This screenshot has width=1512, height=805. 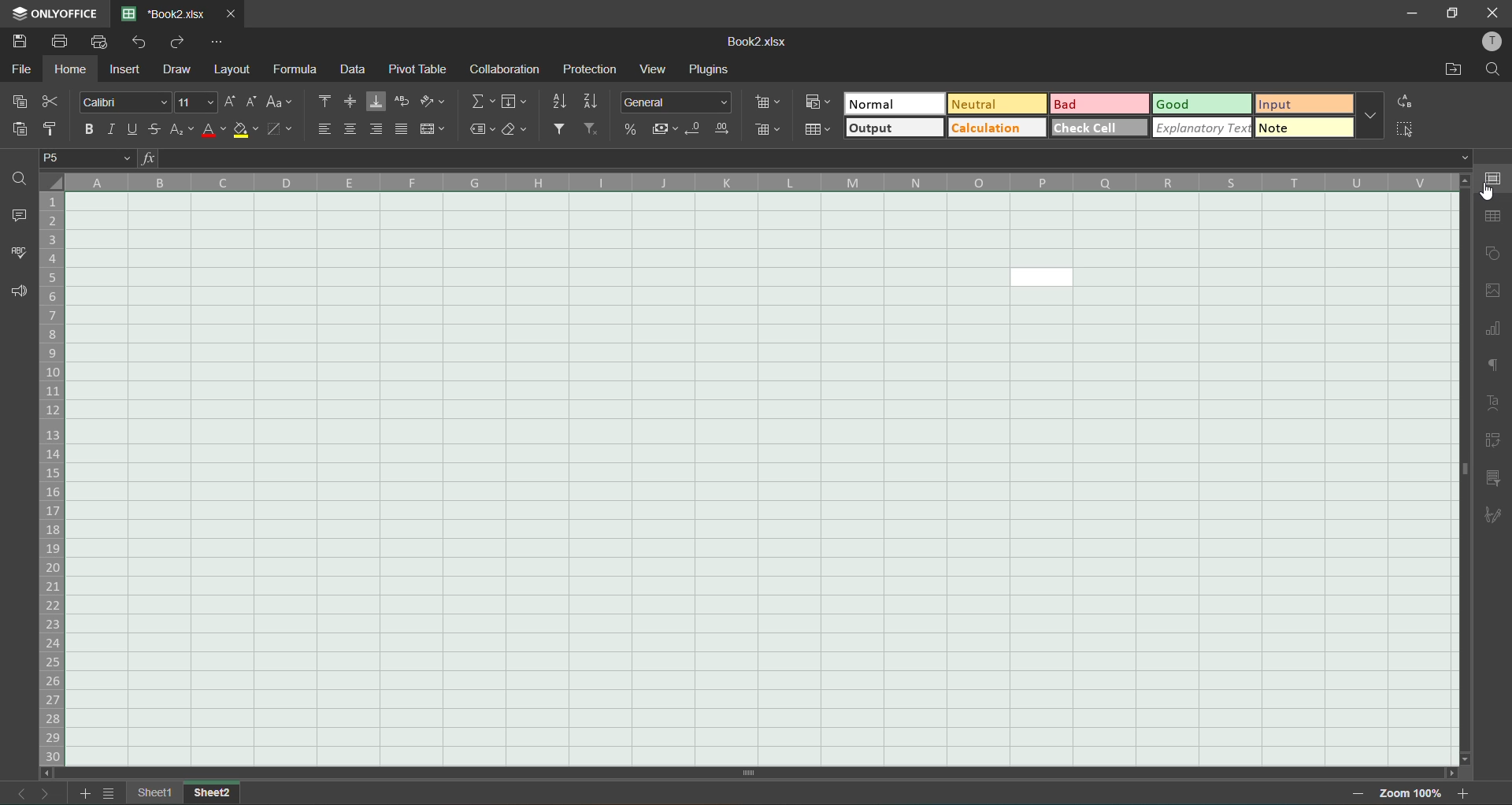 I want to click on wrap text, so click(x=406, y=102).